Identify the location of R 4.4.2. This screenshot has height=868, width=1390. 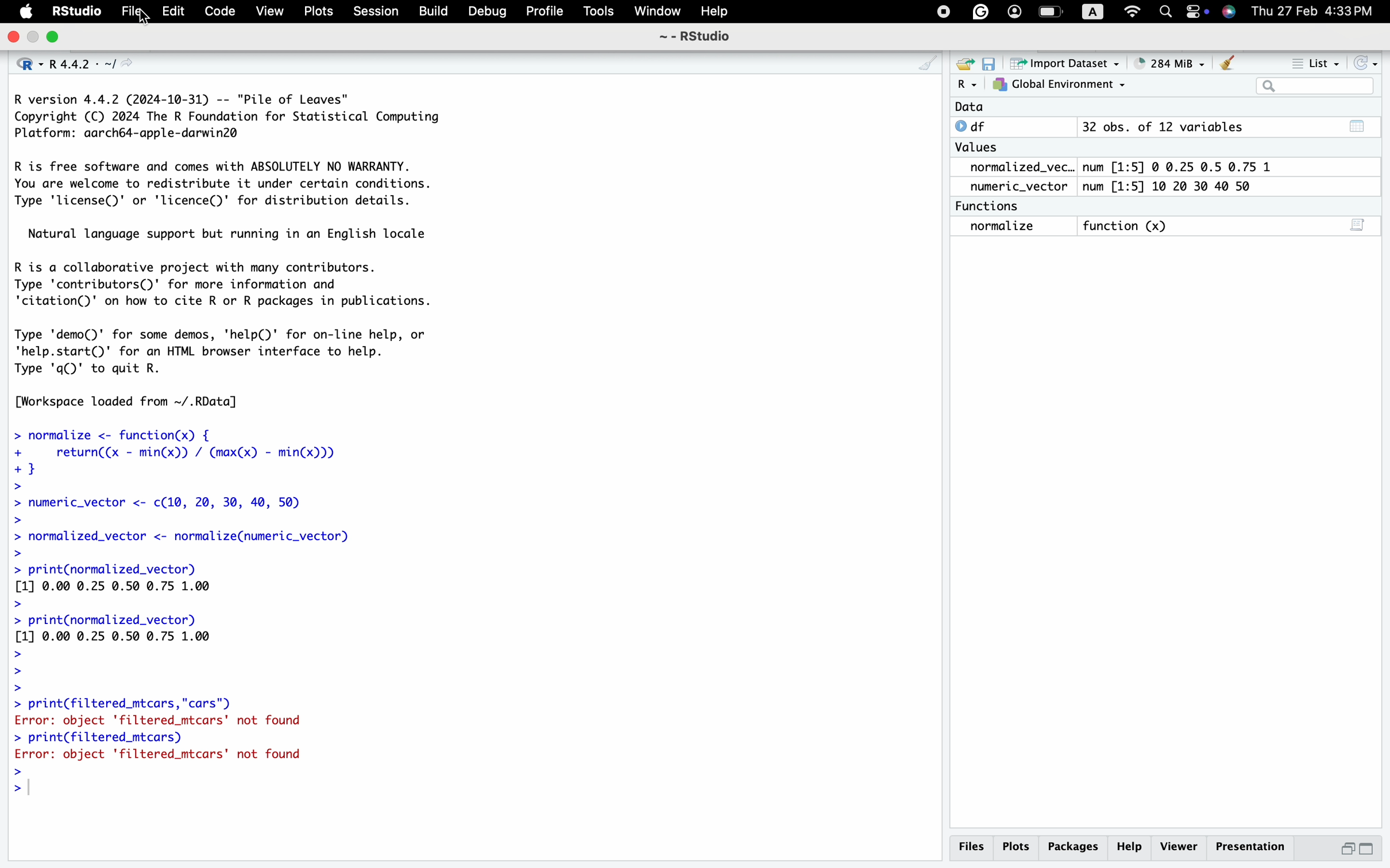
(79, 64).